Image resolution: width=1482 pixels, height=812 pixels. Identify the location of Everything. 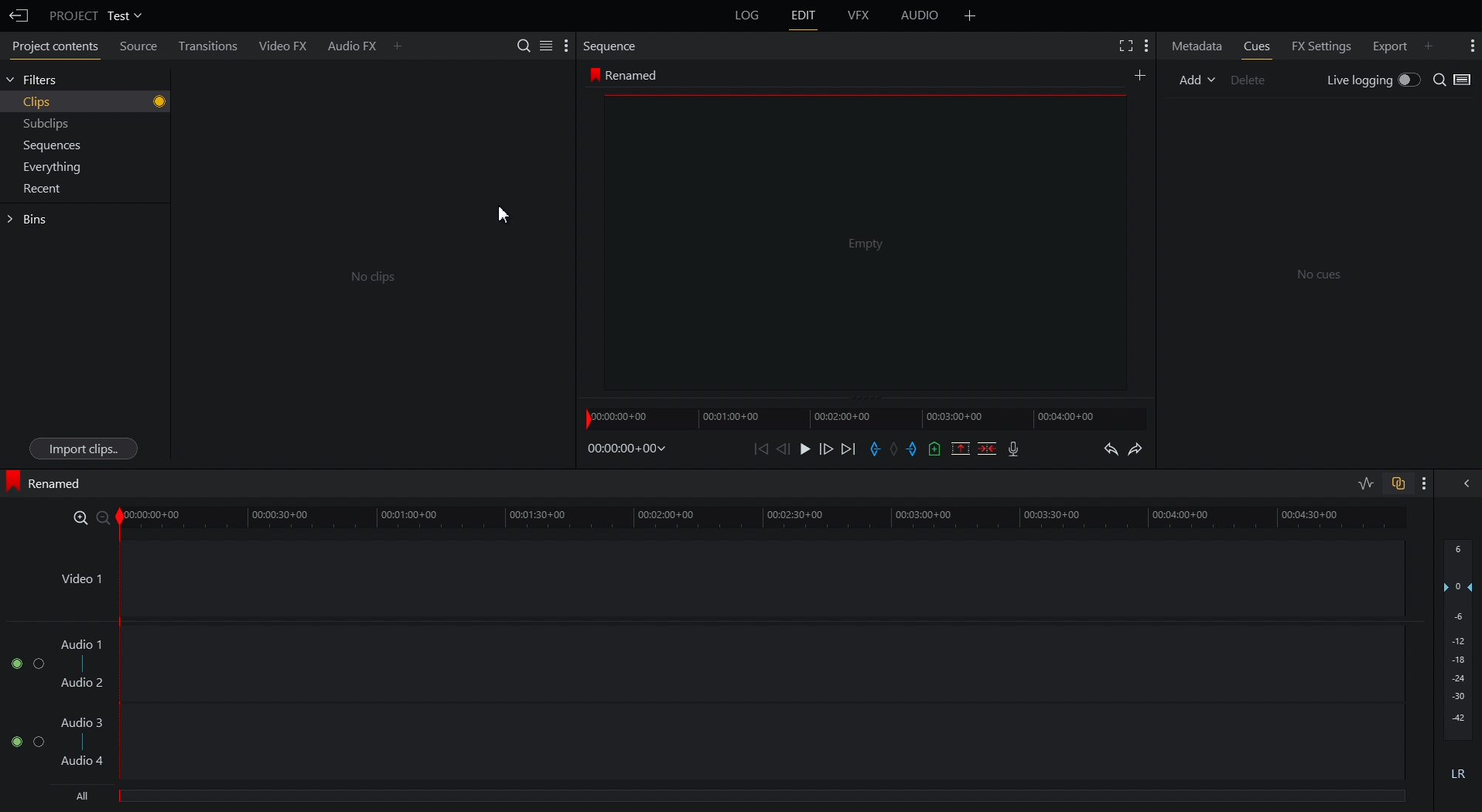
(48, 167).